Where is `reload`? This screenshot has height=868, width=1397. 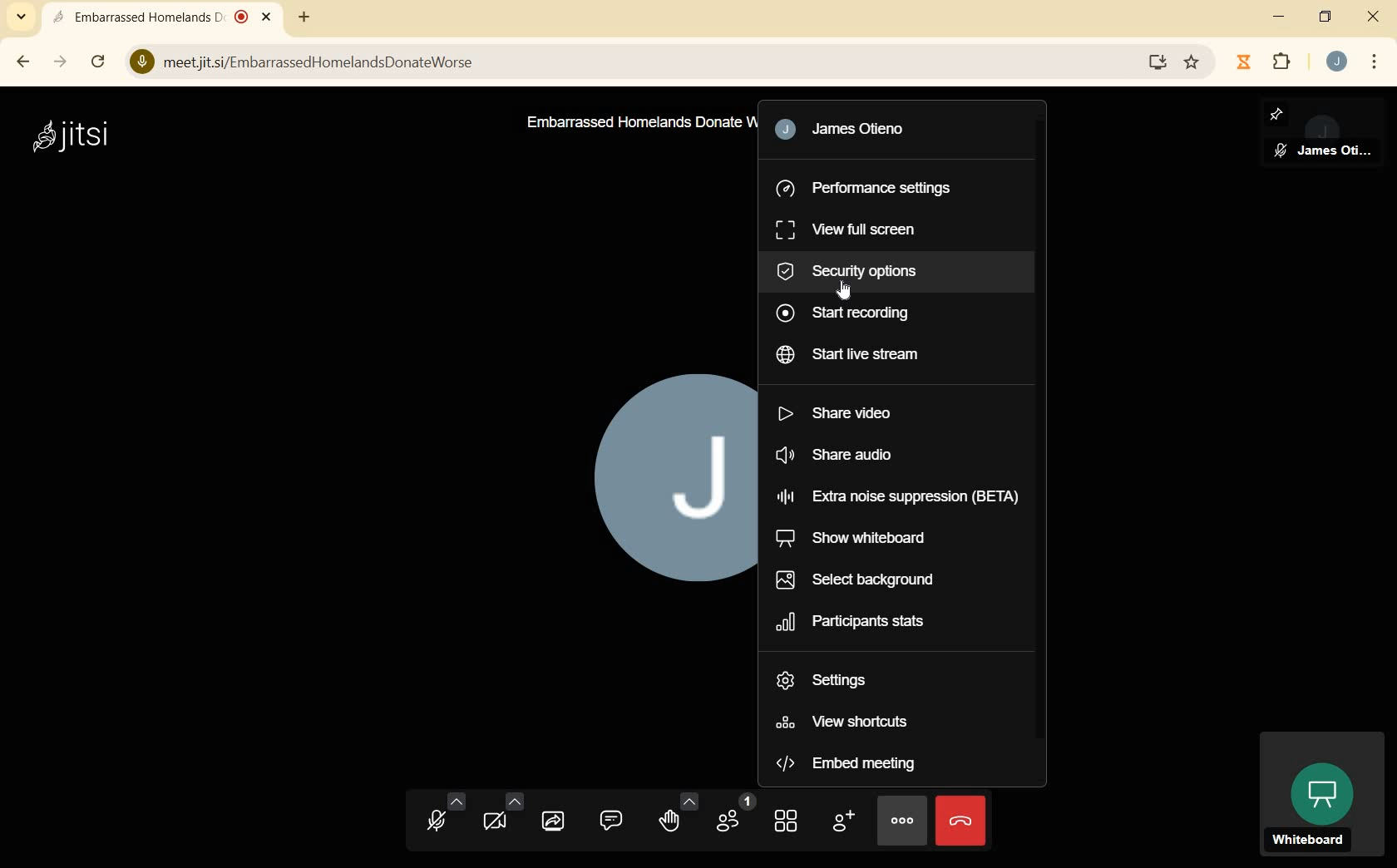 reload is located at coordinates (99, 62).